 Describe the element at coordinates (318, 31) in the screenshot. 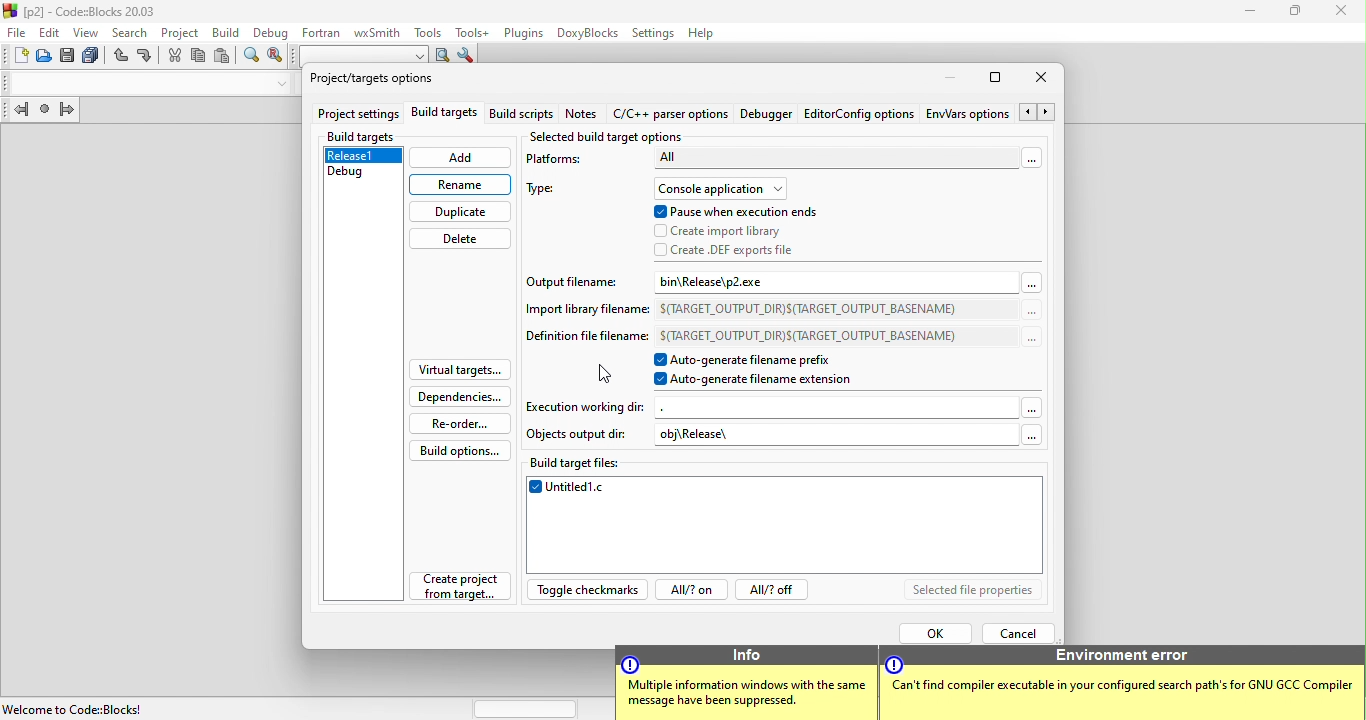

I see `fortran` at that location.